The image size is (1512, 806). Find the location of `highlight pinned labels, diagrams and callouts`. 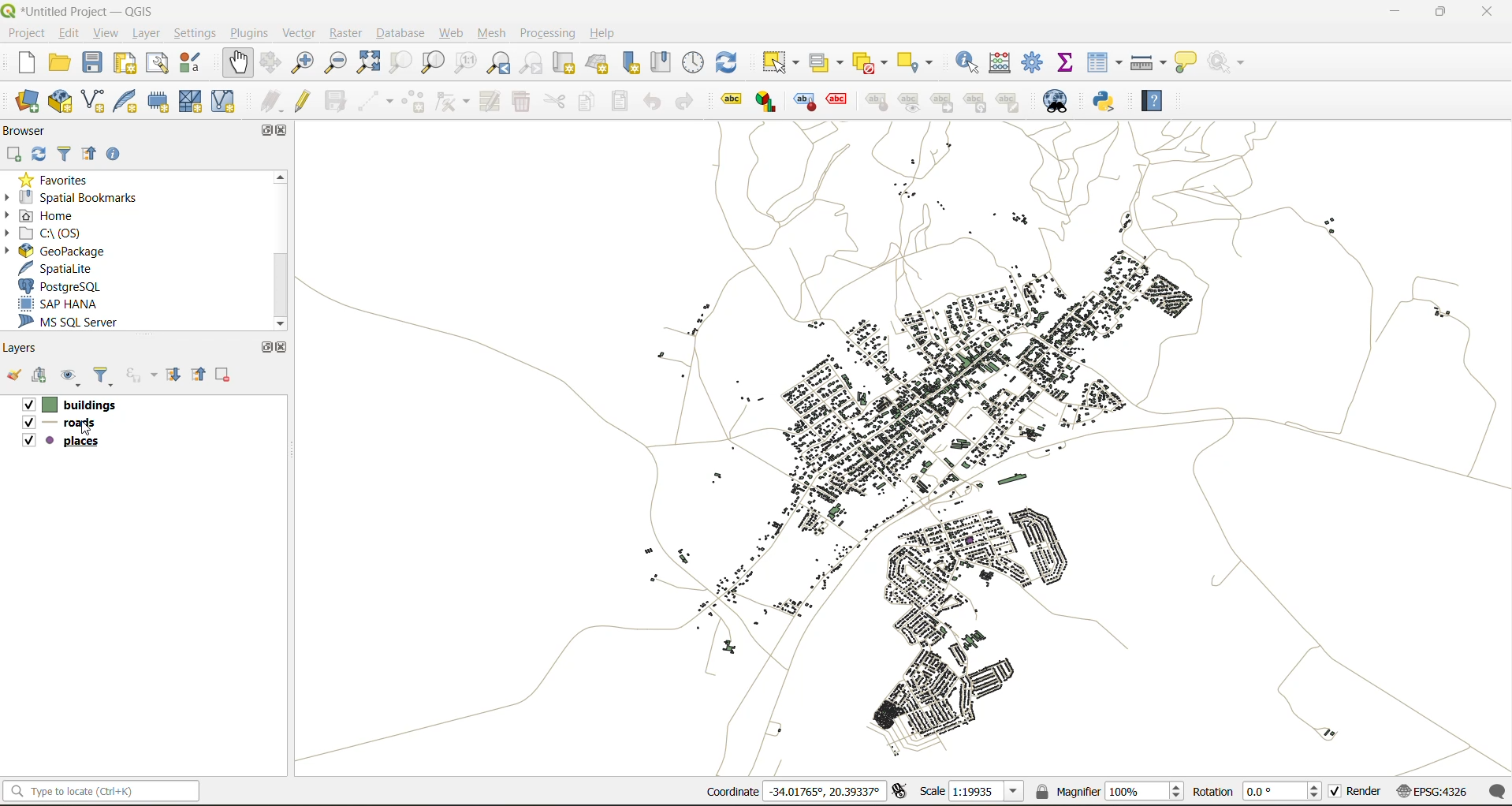

highlight pinned labels, diagrams and callouts is located at coordinates (807, 103).